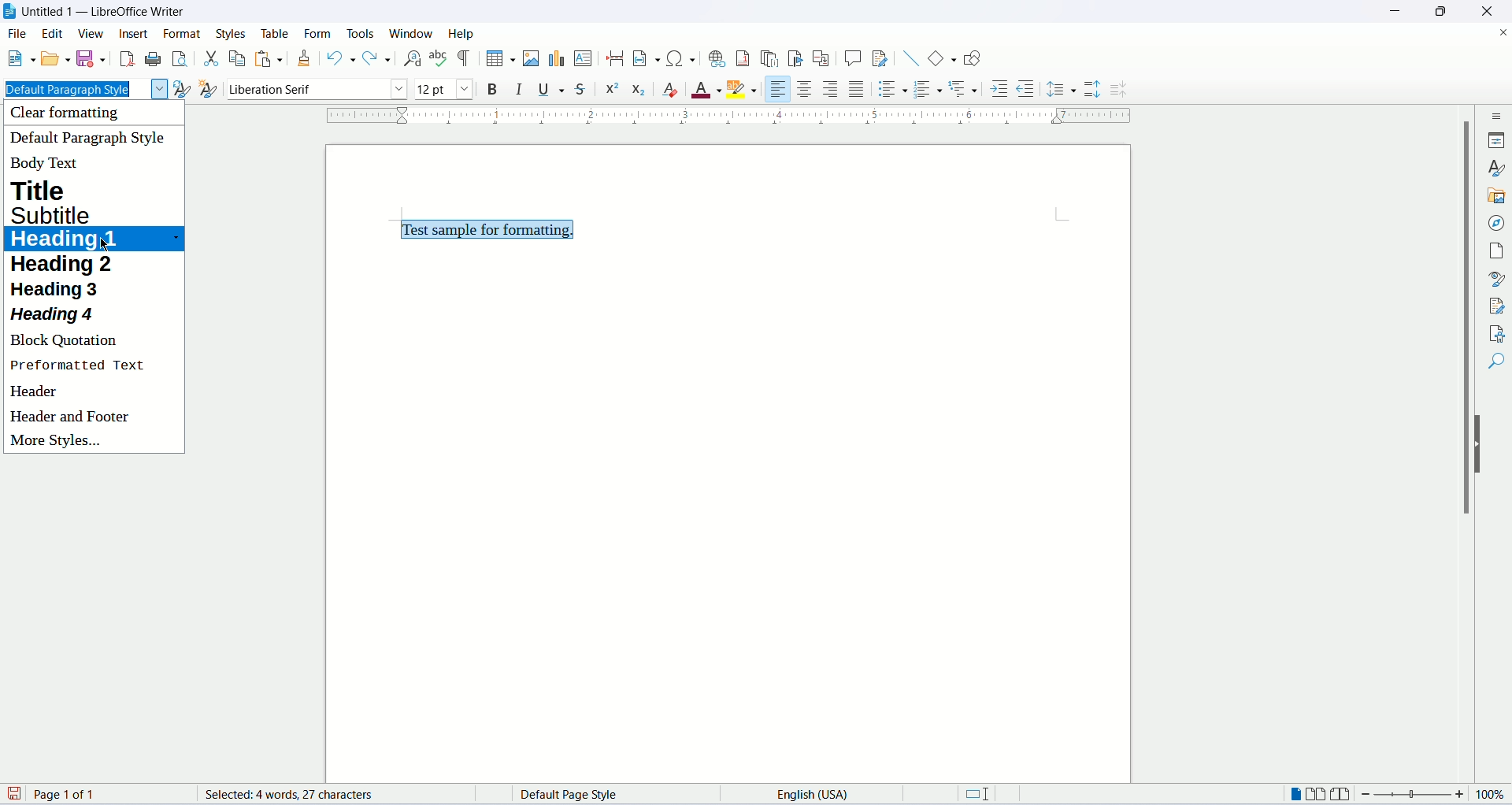  I want to click on insert image, so click(530, 58).